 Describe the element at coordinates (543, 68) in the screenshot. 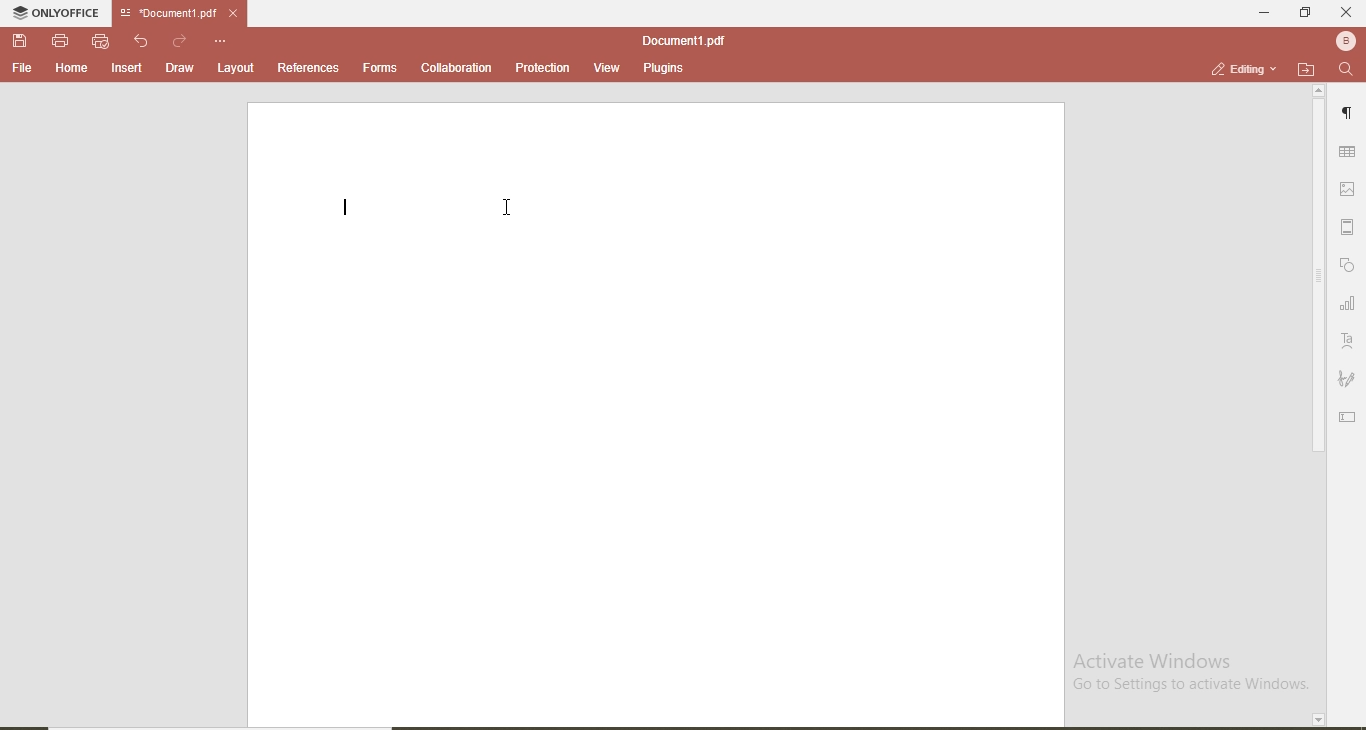

I see `protection` at that location.